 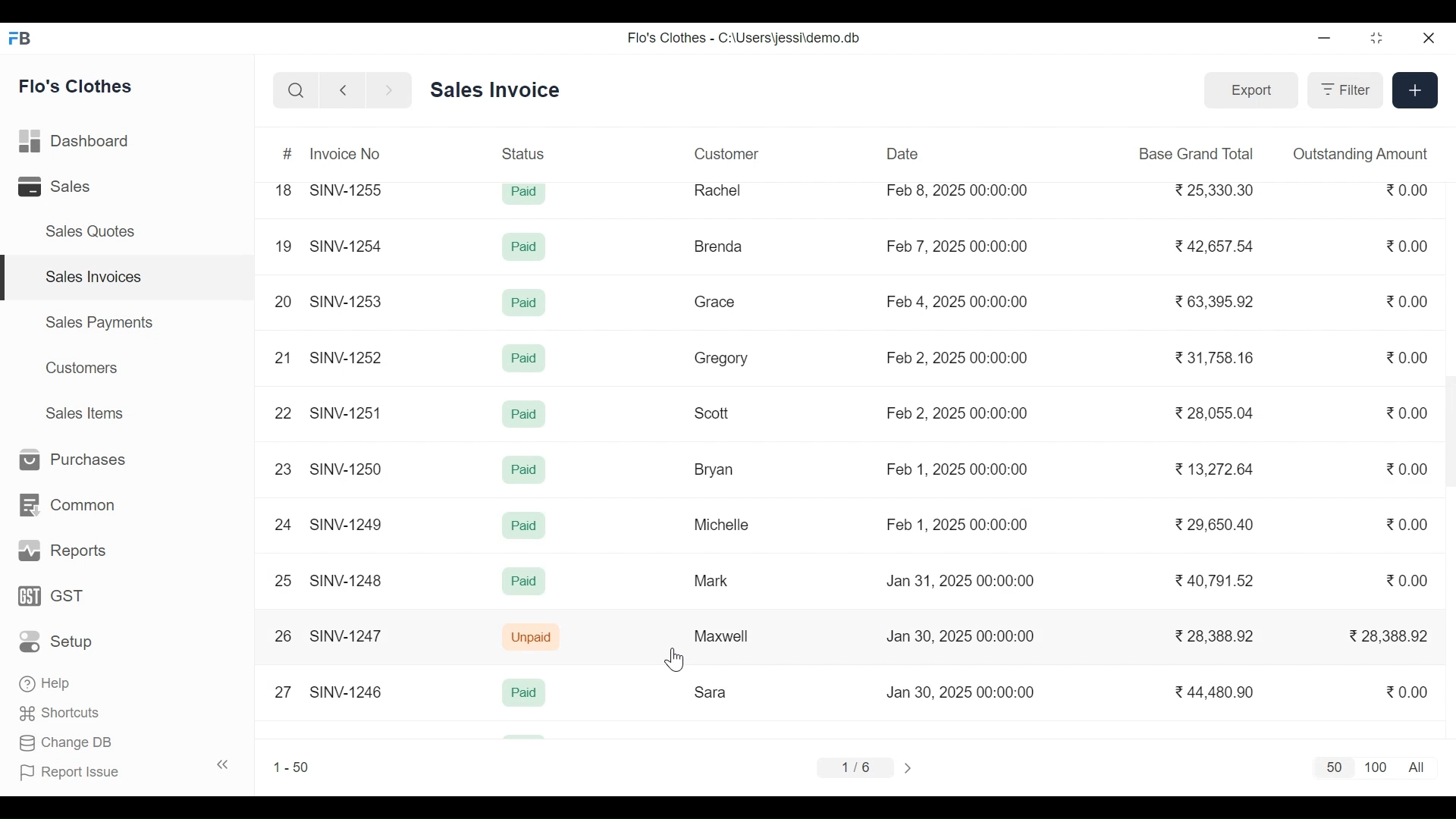 What do you see at coordinates (1360, 153) in the screenshot?
I see `Outstanding Amount` at bounding box center [1360, 153].